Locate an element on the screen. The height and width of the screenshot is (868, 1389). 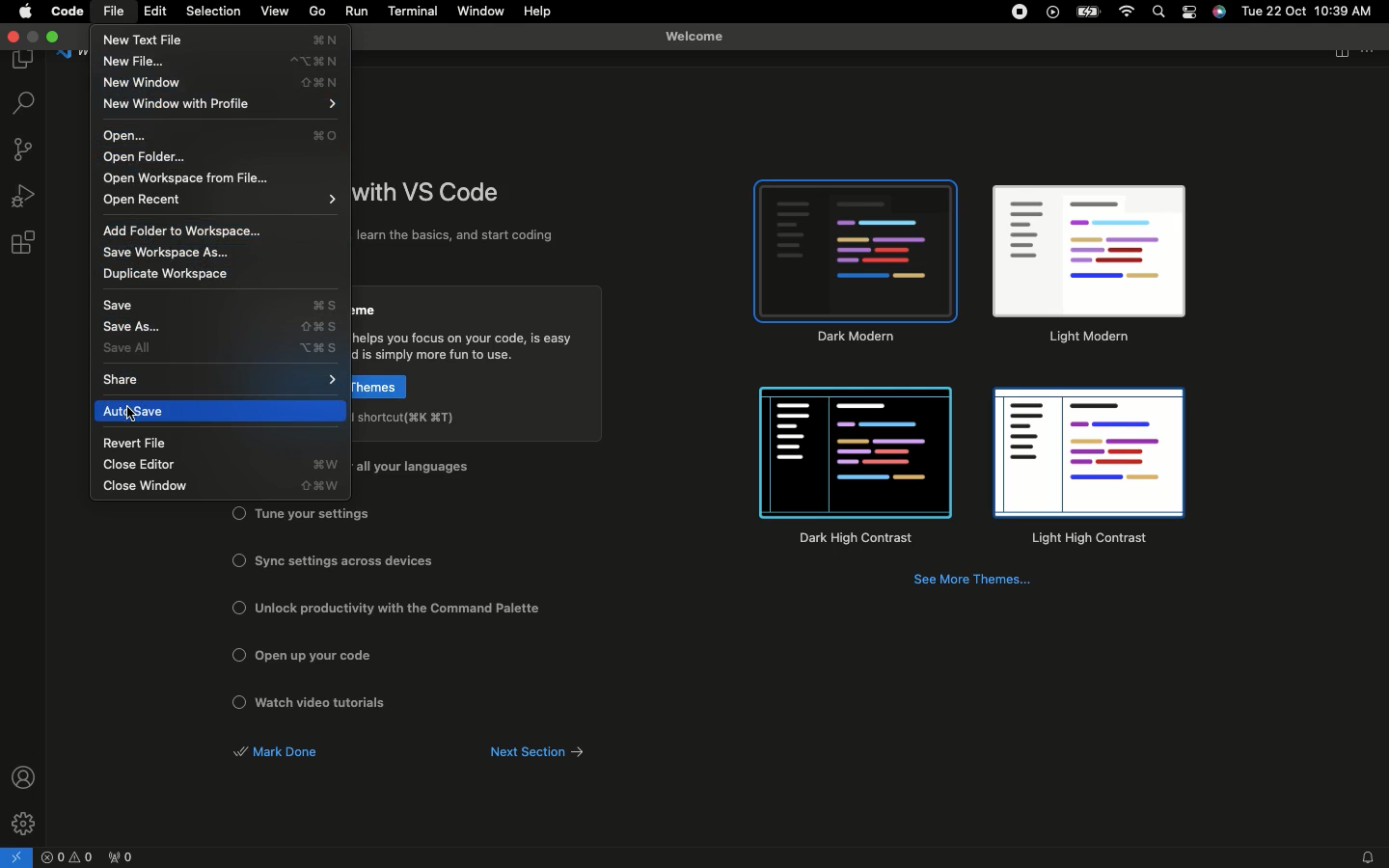
Manage is located at coordinates (25, 822).